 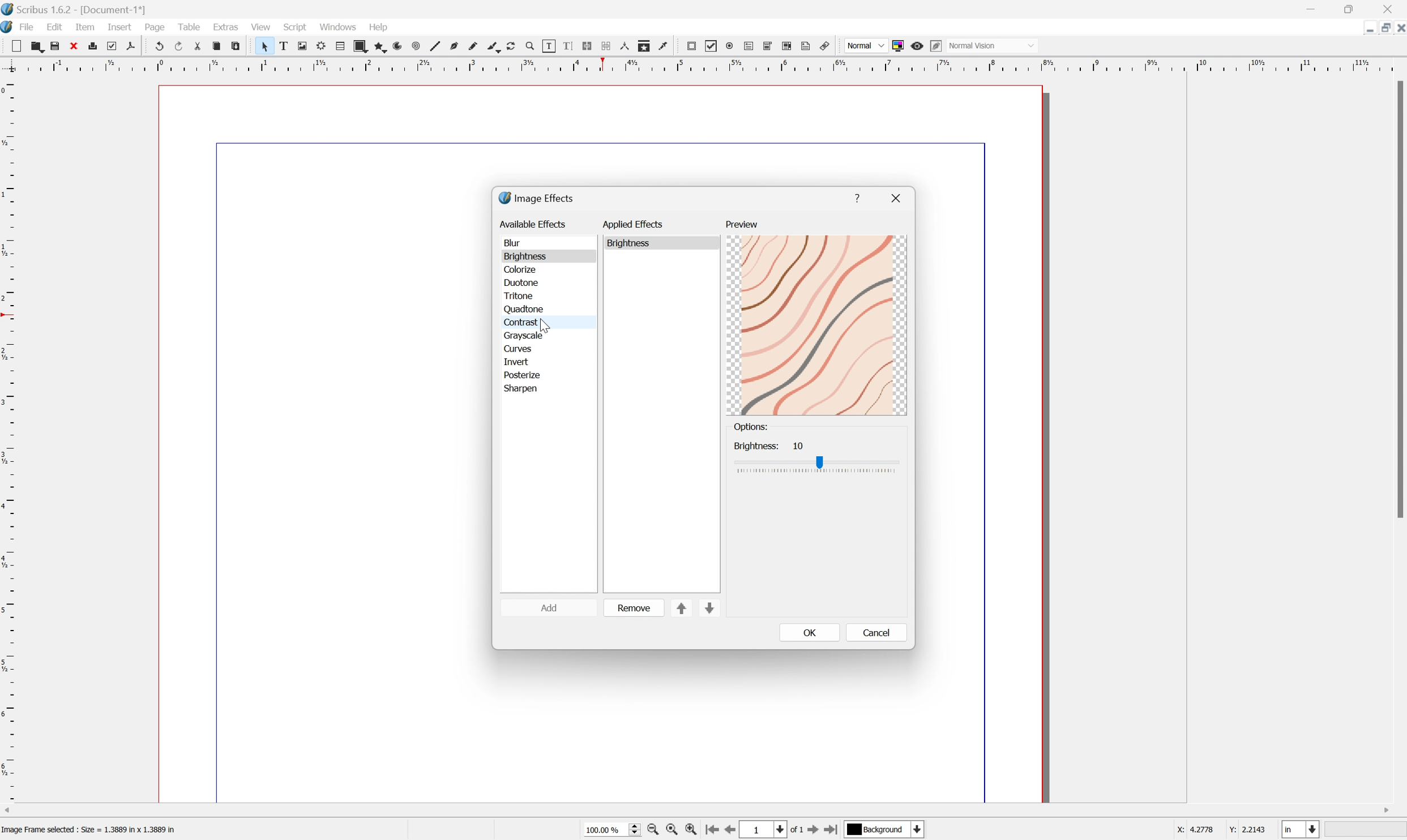 What do you see at coordinates (56, 45) in the screenshot?
I see `Save` at bounding box center [56, 45].